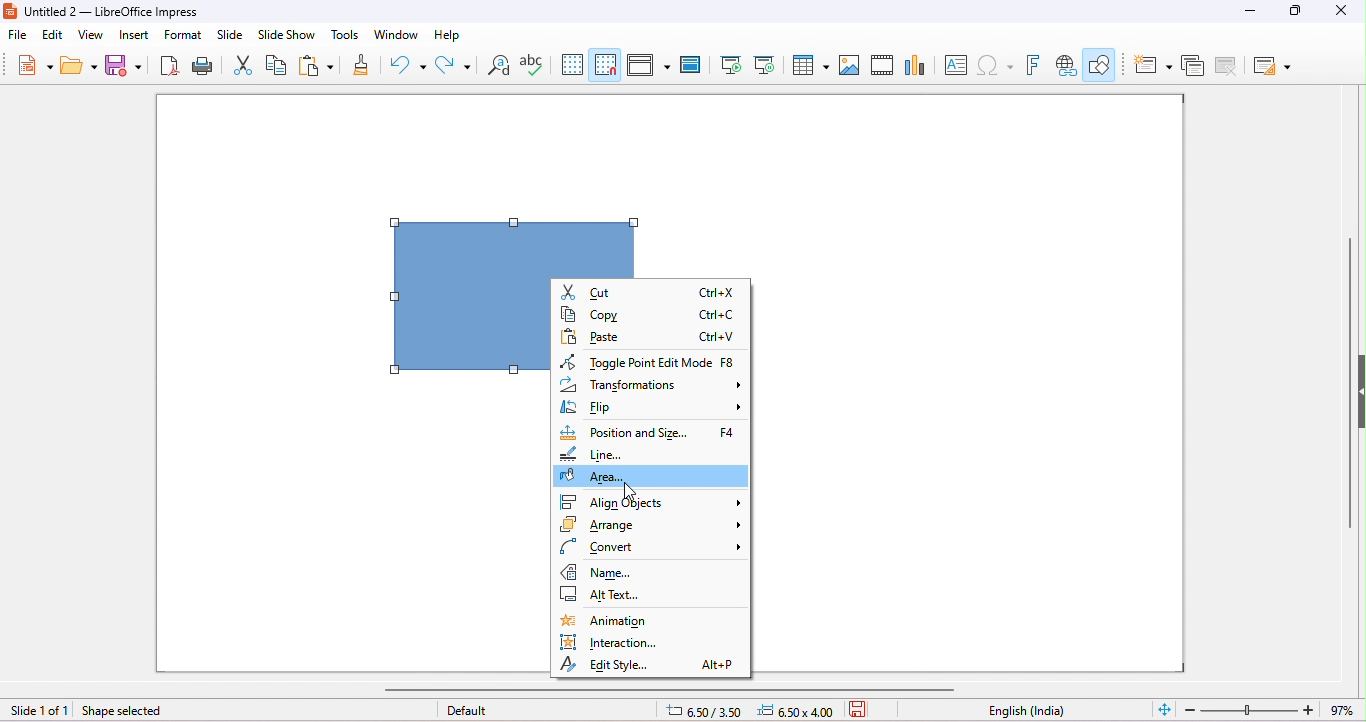 This screenshot has width=1366, height=722. Describe the element at coordinates (1229, 68) in the screenshot. I see `delete slide` at that location.